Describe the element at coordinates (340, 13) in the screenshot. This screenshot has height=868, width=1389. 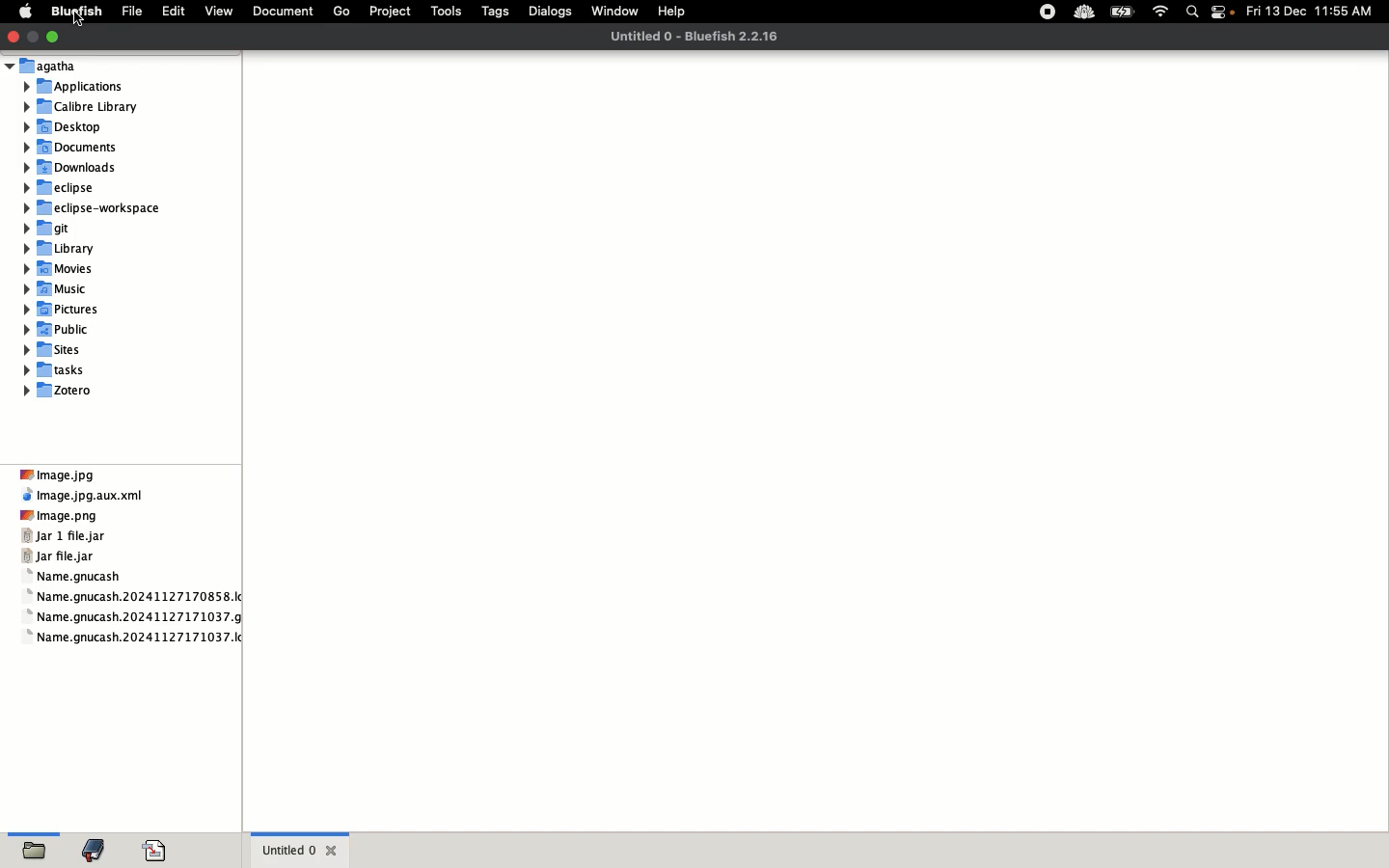
I see `Go` at that location.